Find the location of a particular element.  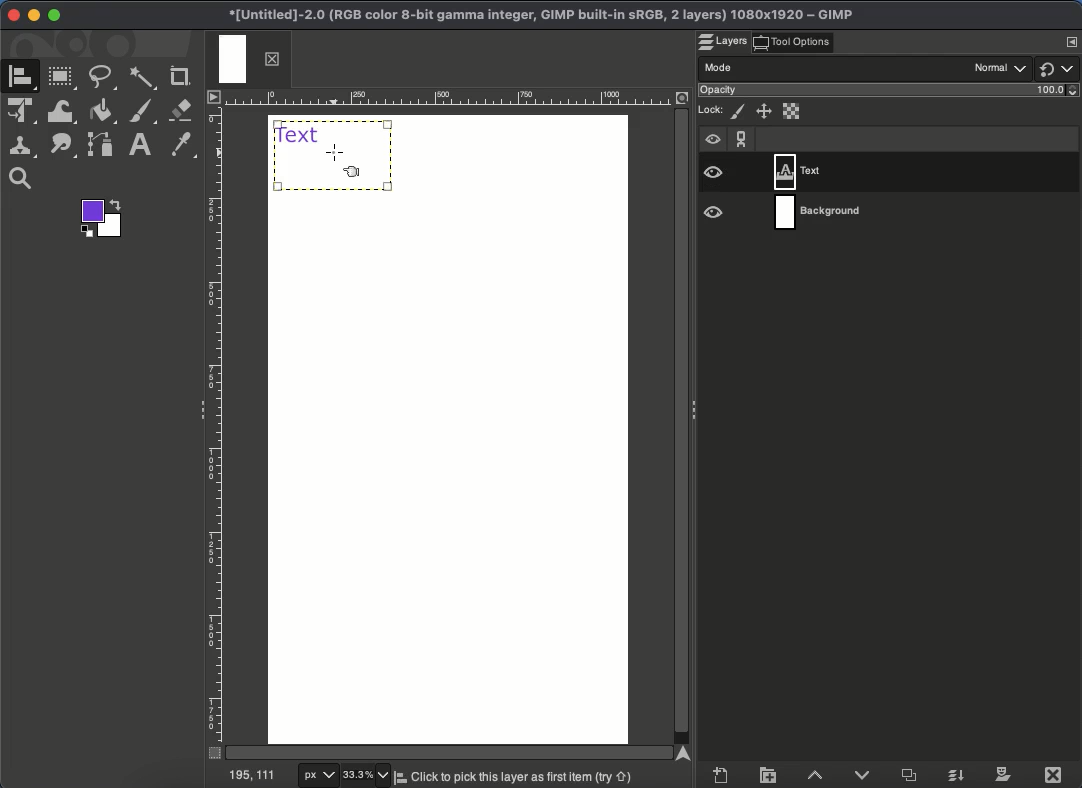

Merge is located at coordinates (958, 773).